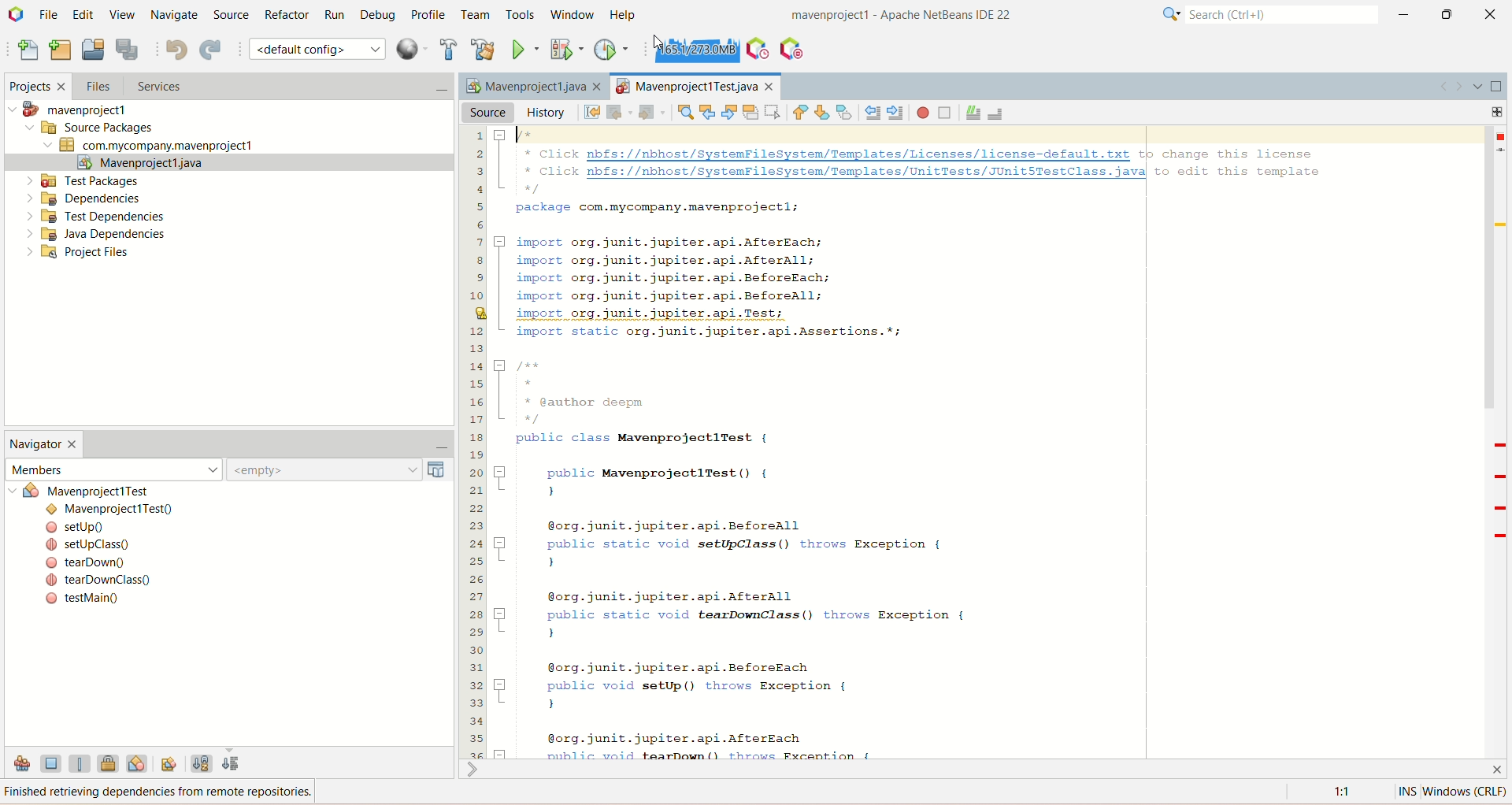  Describe the element at coordinates (172, 174) in the screenshot. I see `cursor` at that location.